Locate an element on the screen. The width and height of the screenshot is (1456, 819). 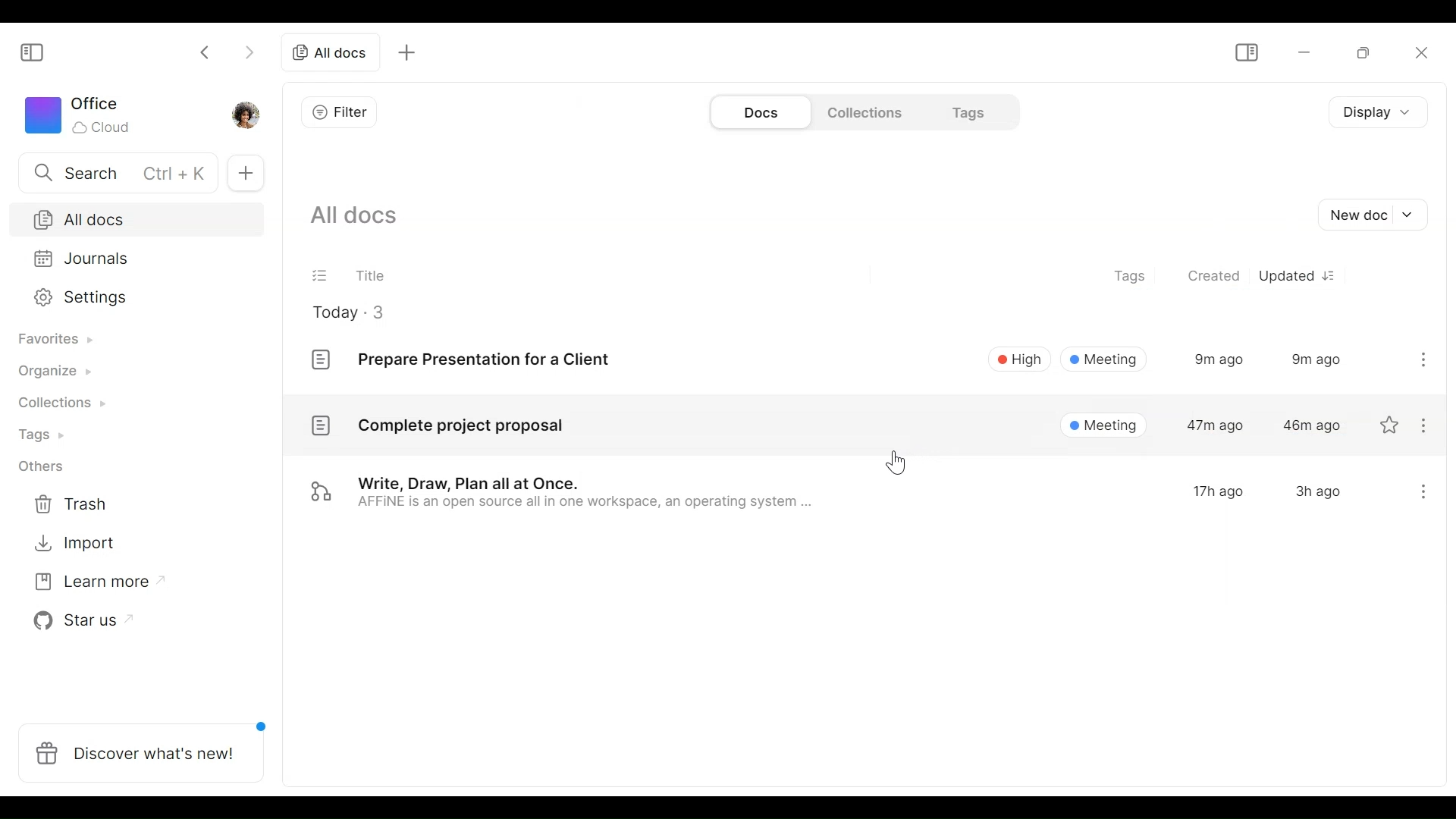
minimize is located at coordinates (1302, 52).